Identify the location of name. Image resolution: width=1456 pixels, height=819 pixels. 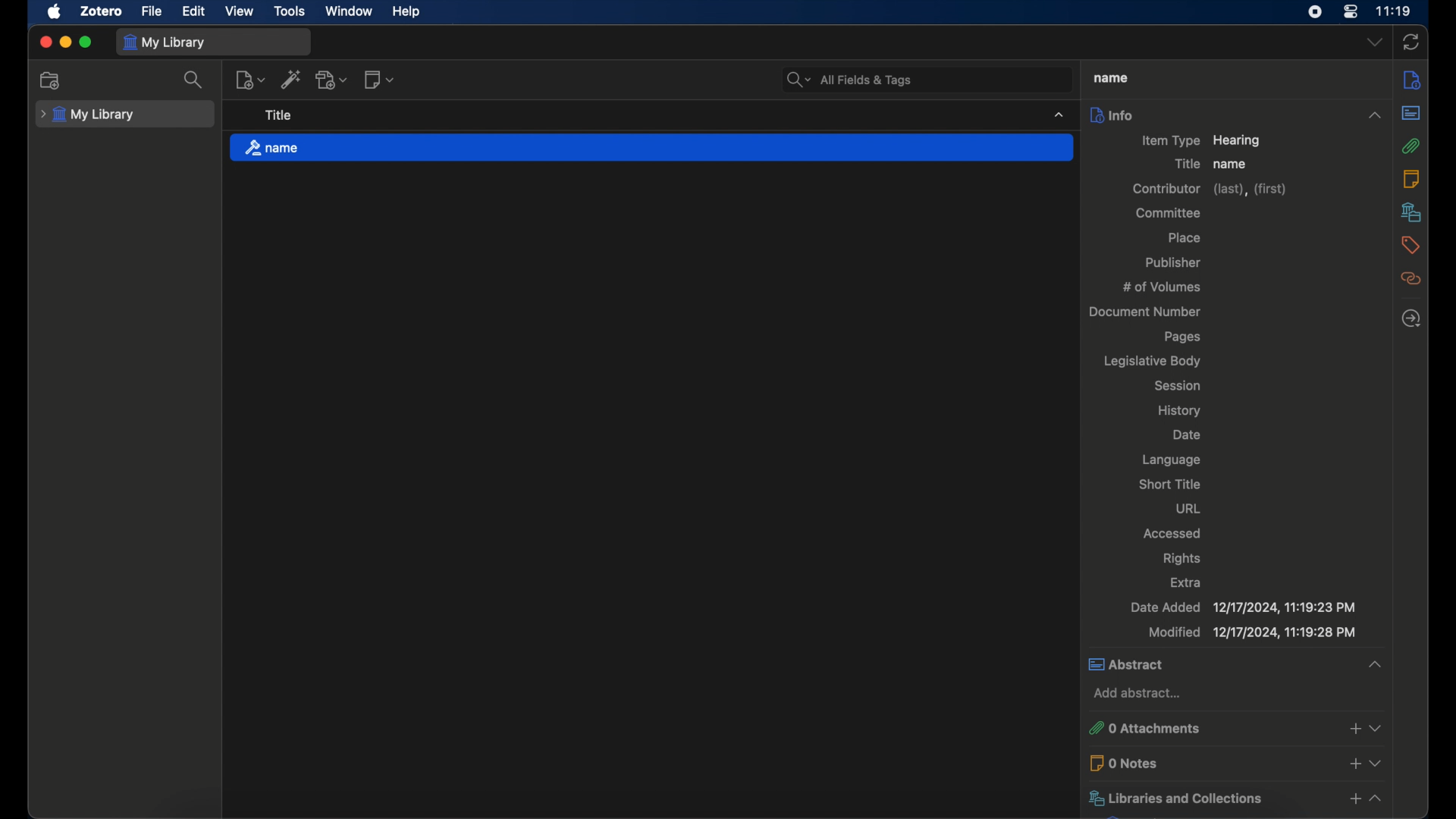
(654, 149).